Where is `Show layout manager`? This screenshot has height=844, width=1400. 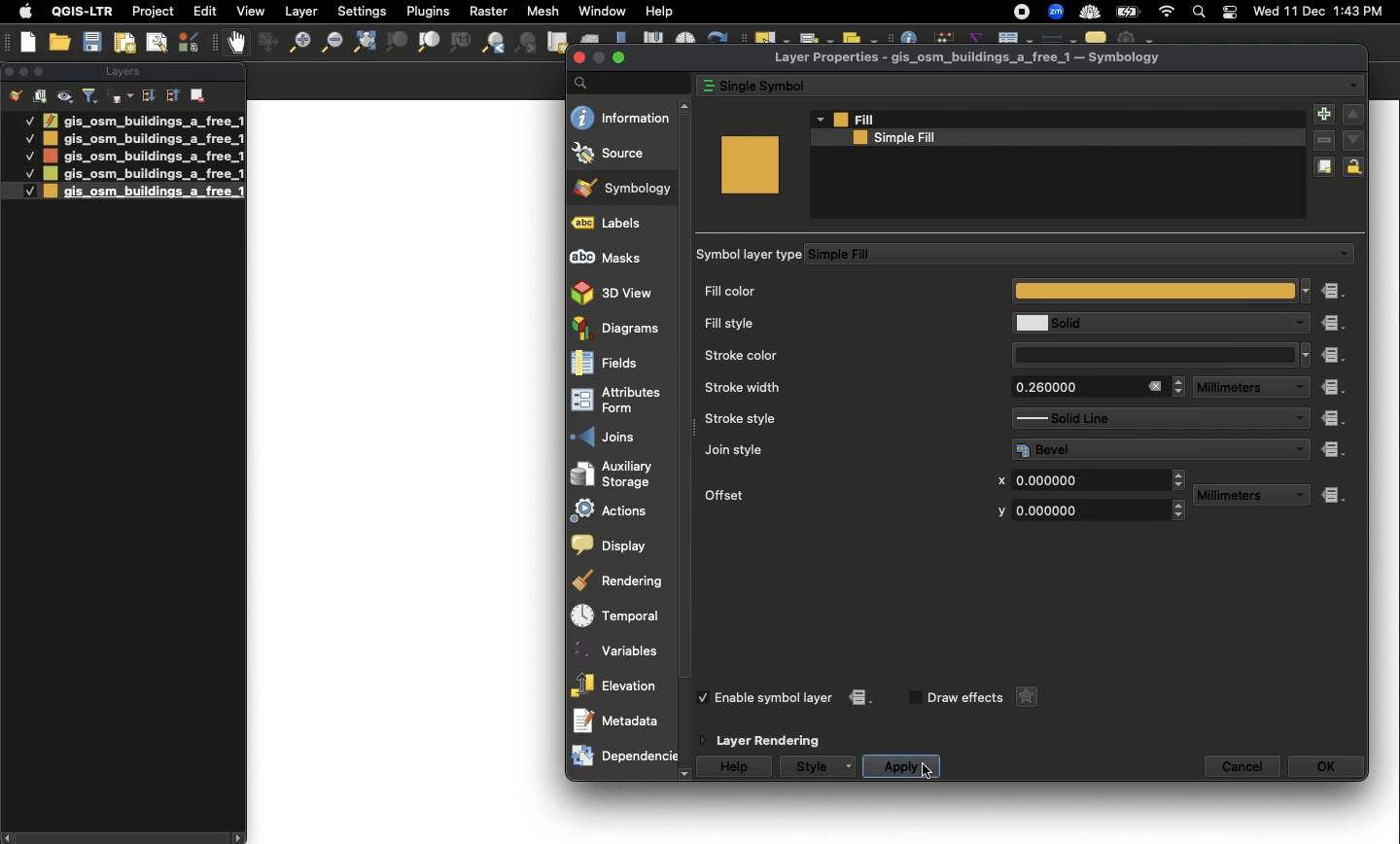 Show layout manager is located at coordinates (156, 43).